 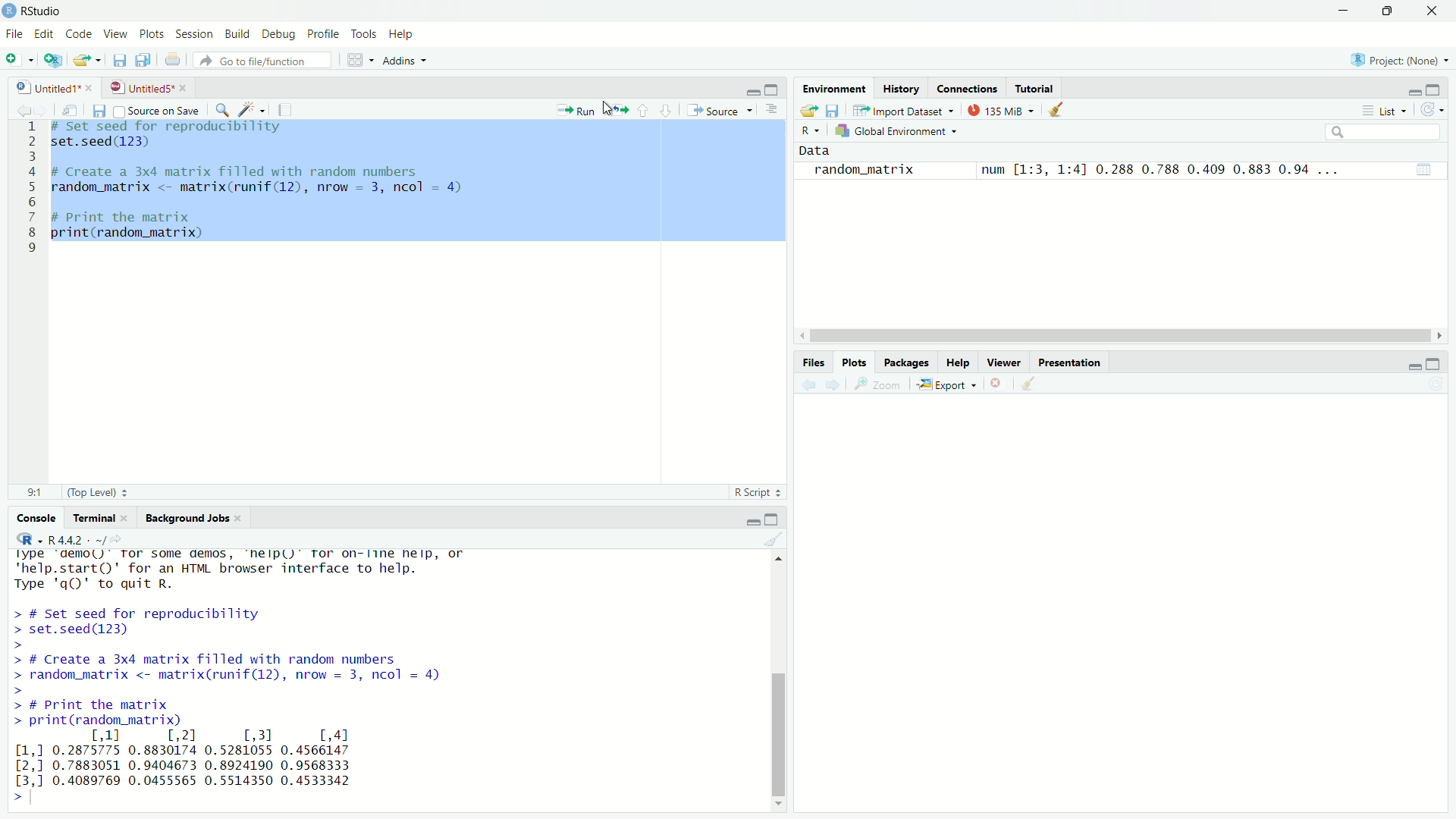 What do you see at coordinates (285, 106) in the screenshot?
I see `notes` at bounding box center [285, 106].